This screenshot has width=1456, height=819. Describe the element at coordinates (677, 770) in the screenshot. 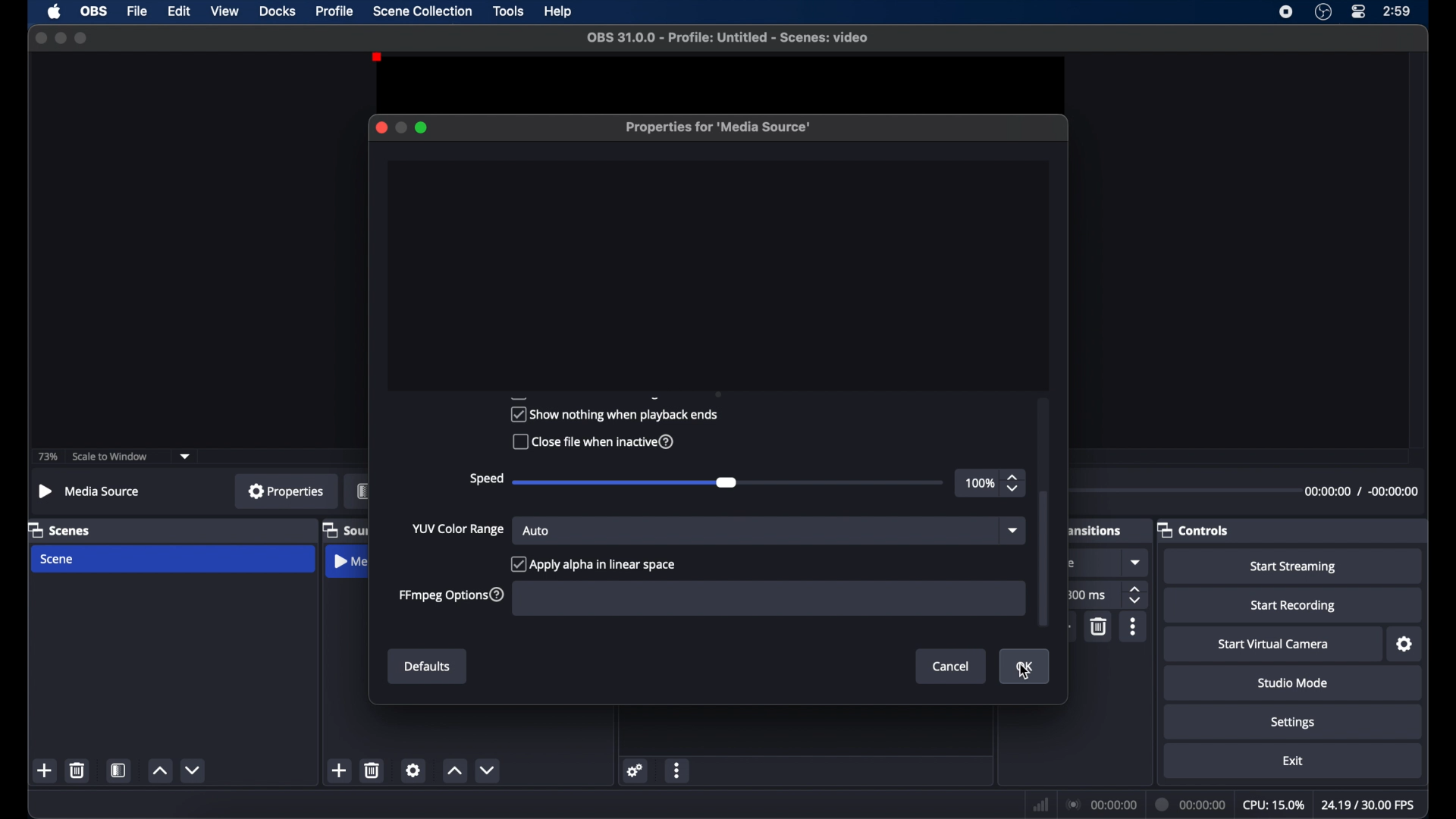

I see `more options` at that location.